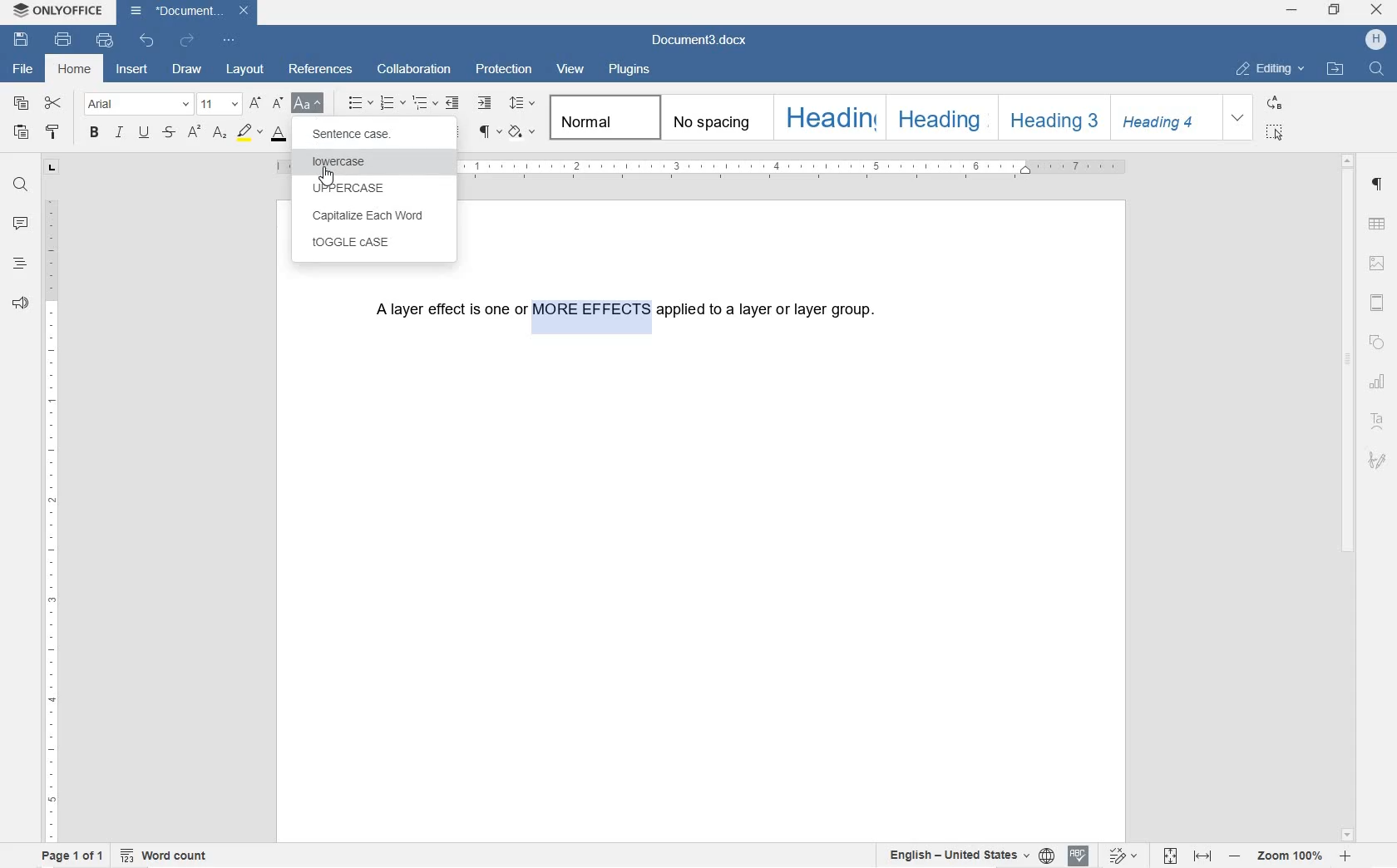 The image size is (1397, 868). Describe the element at coordinates (104, 42) in the screenshot. I see `QUICK PRINT` at that location.